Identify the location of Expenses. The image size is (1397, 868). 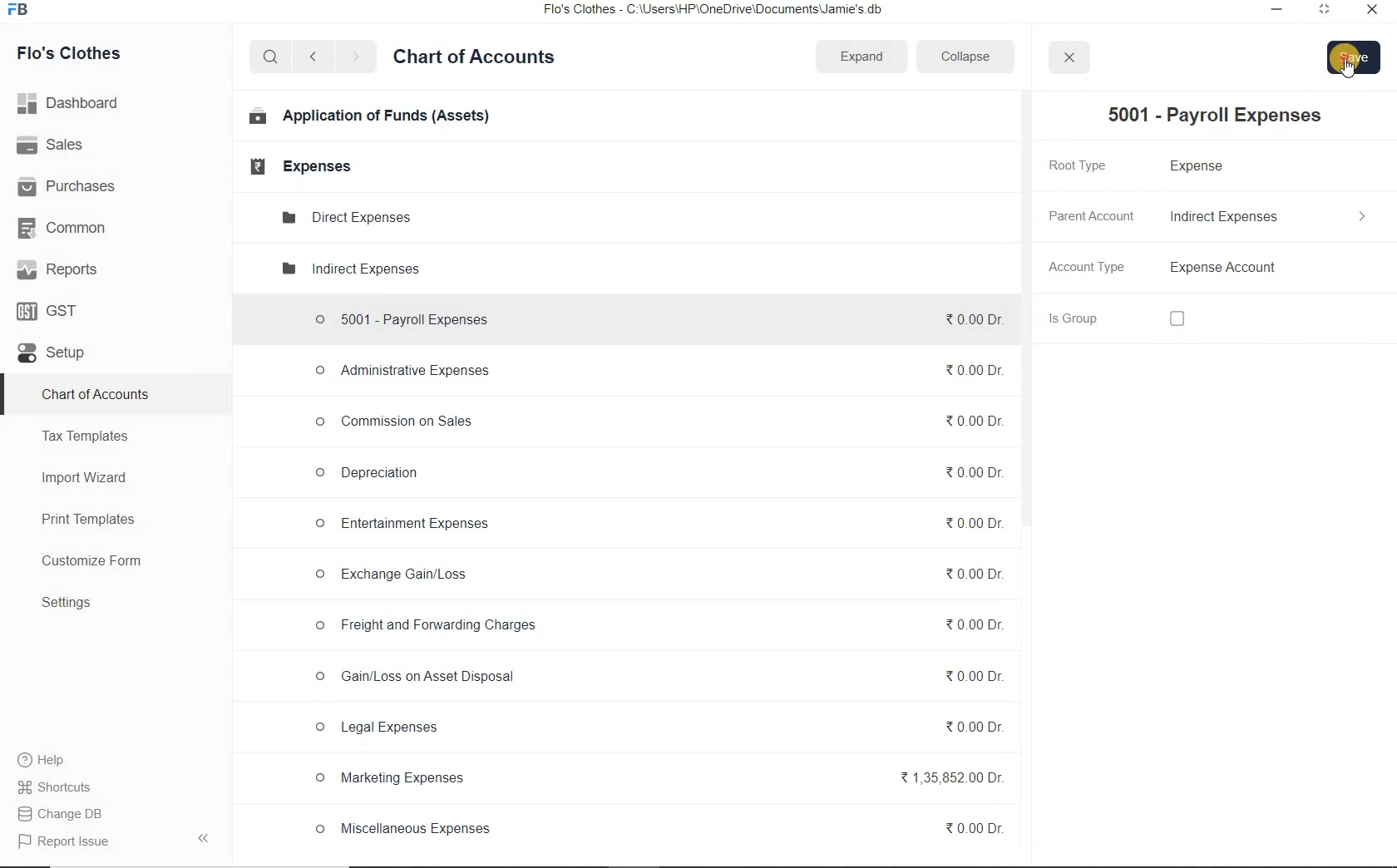
(295, 166).